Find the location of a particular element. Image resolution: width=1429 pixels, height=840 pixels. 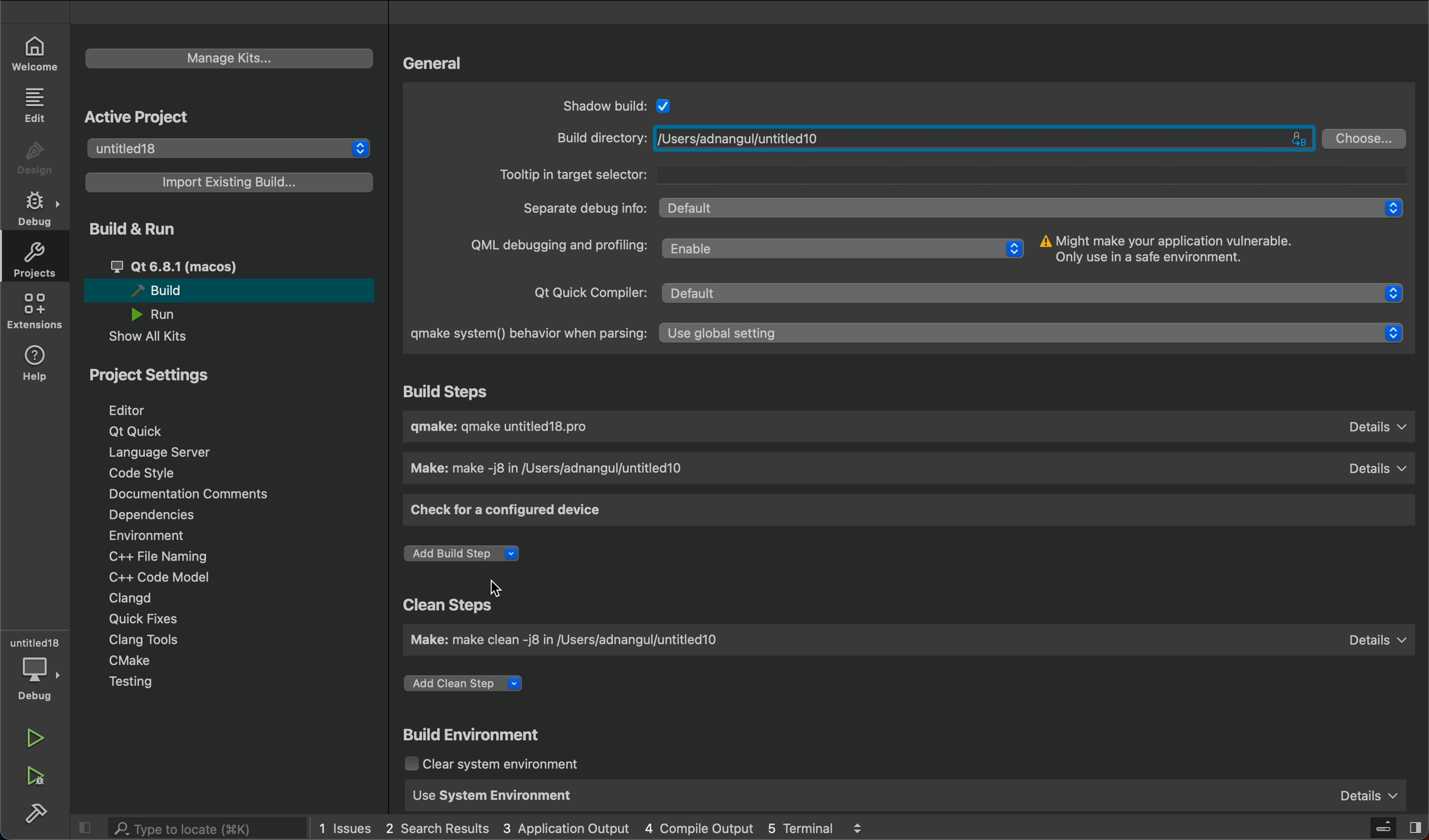

Testing is located at coordinates (129, 684).